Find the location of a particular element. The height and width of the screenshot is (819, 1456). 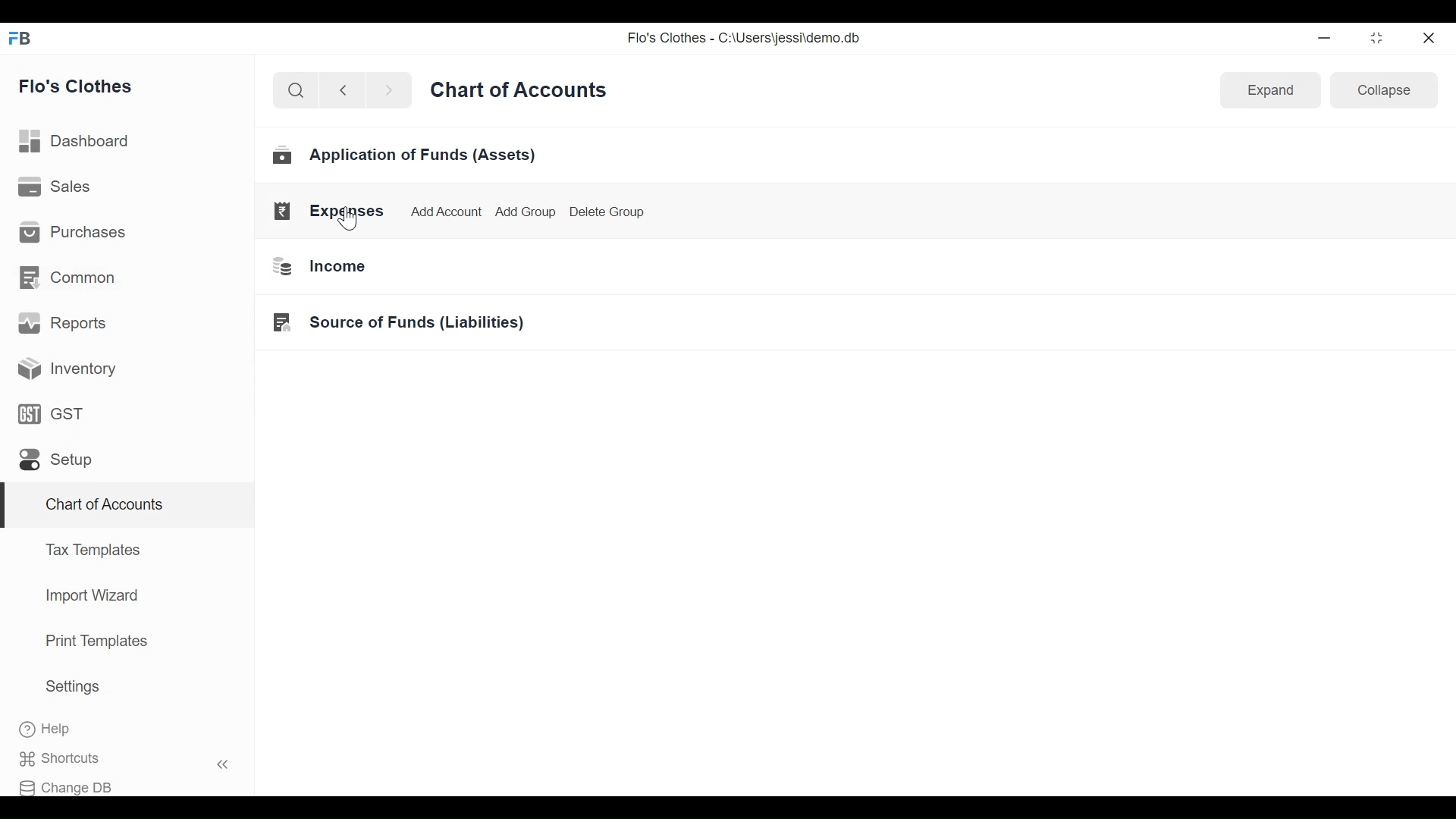

Expenses is located at coordinates (332, 211).